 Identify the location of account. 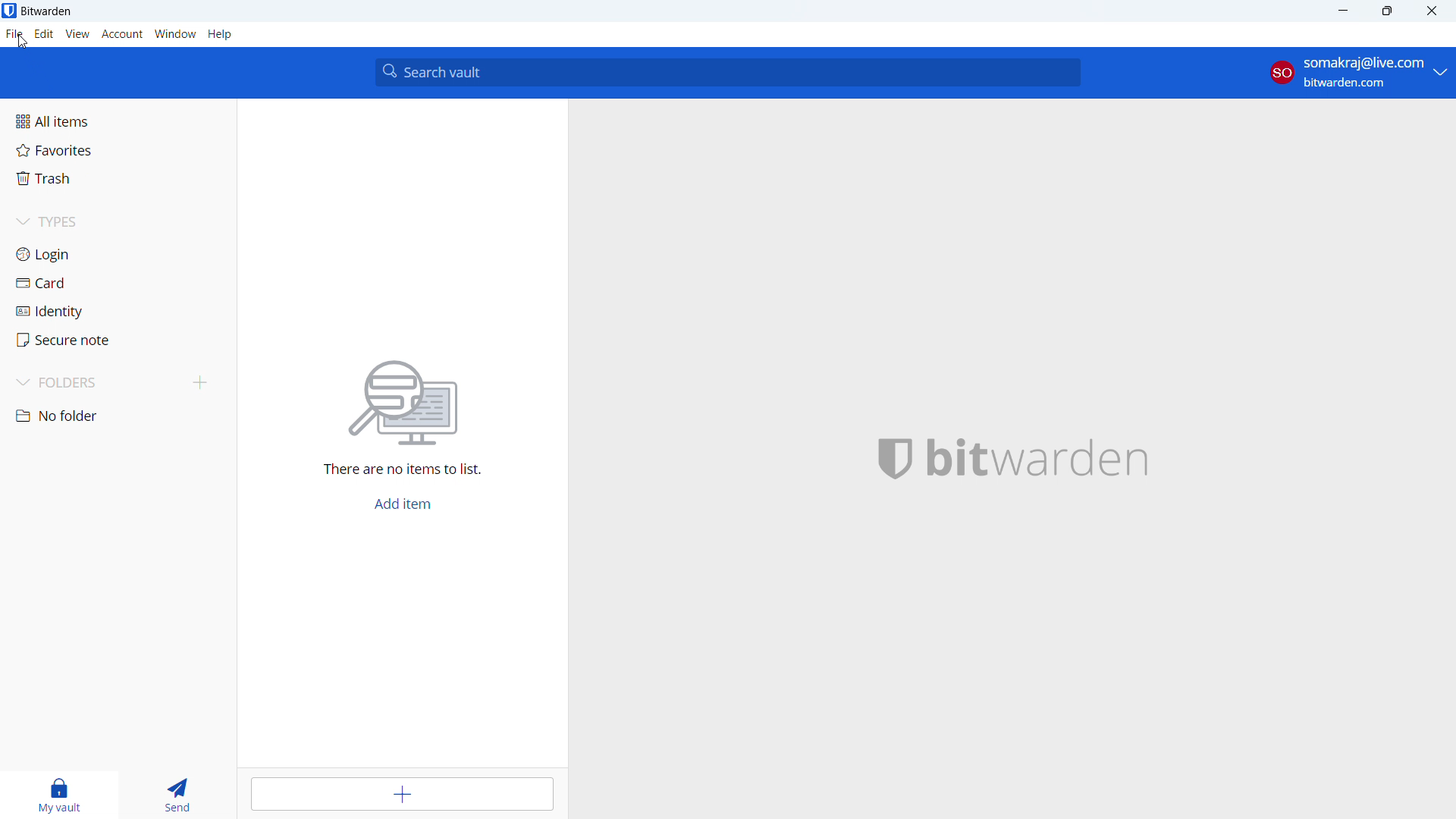
(123, 35).